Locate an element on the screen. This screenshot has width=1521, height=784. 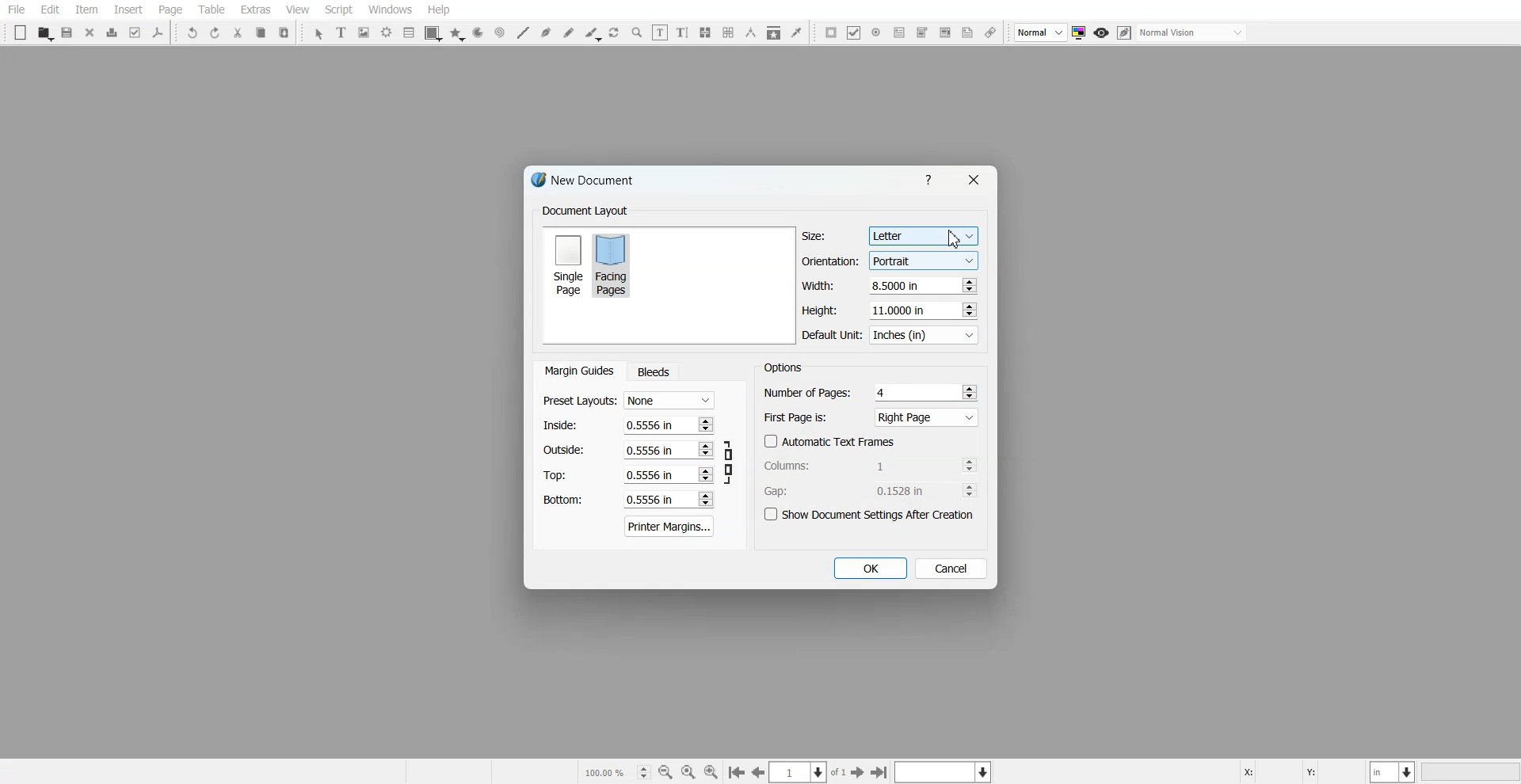
Automatic Text Frames is located at coordinates (830, 441).